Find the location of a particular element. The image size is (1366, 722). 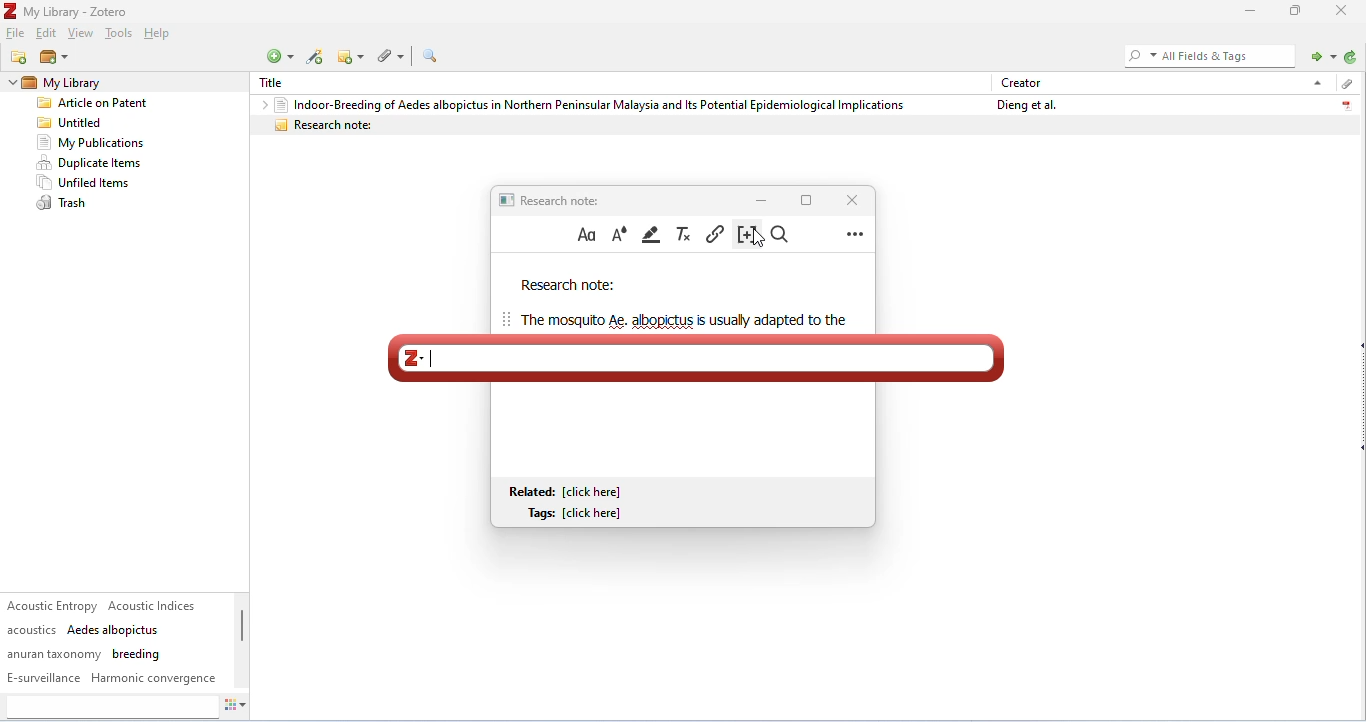

new item is located at coordinates (279, 56).